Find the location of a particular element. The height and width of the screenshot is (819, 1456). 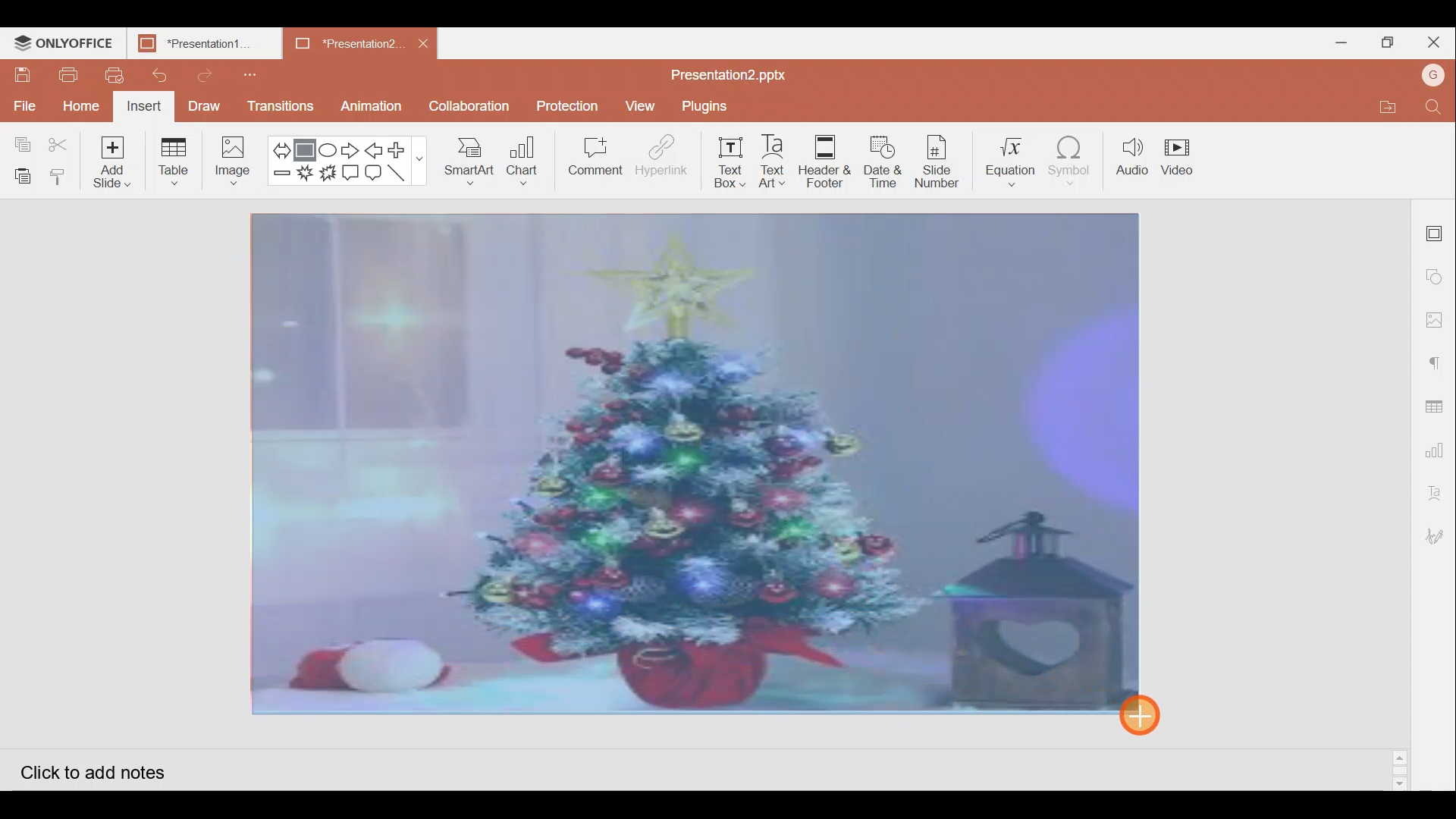

Cut is located at coordinates (61, 140).